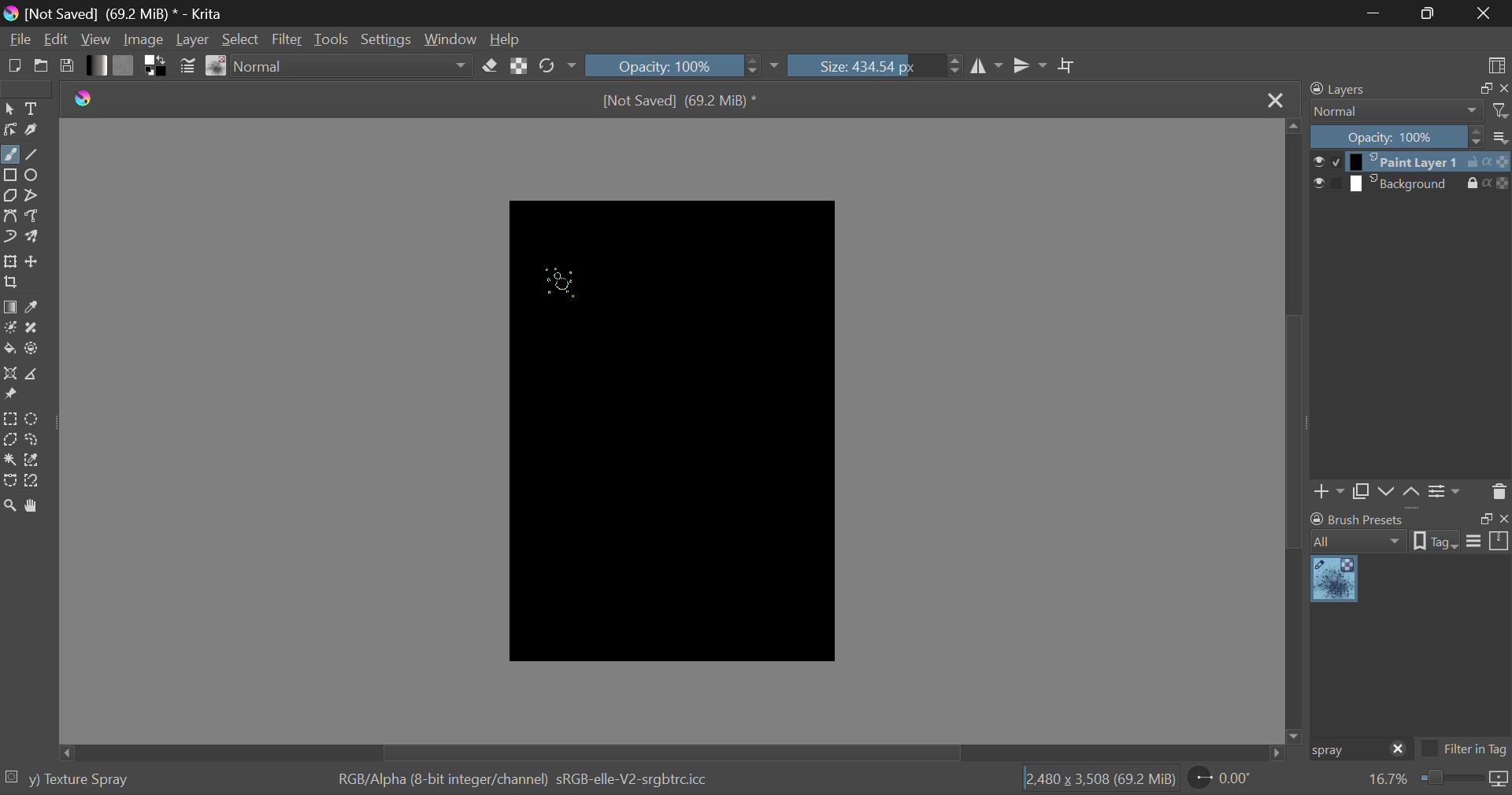  Describe the element at coordinates (35, 507) in the screenshot. I see `Pan` at that location.